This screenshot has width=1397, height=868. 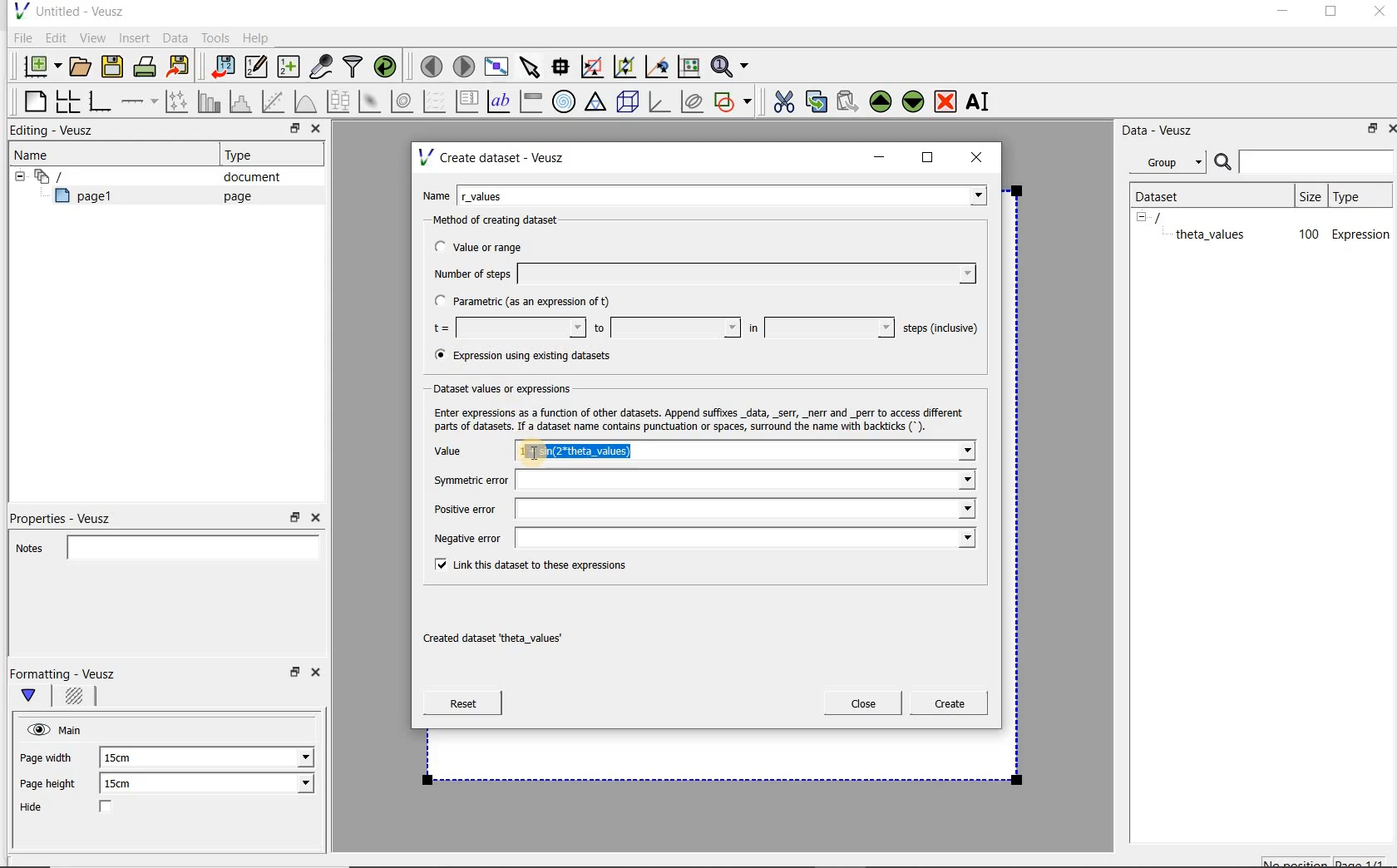 What do you see at coordinates (597, 102) in the screenshot?
I see `ternary graph` at bounding box center [597, 102].